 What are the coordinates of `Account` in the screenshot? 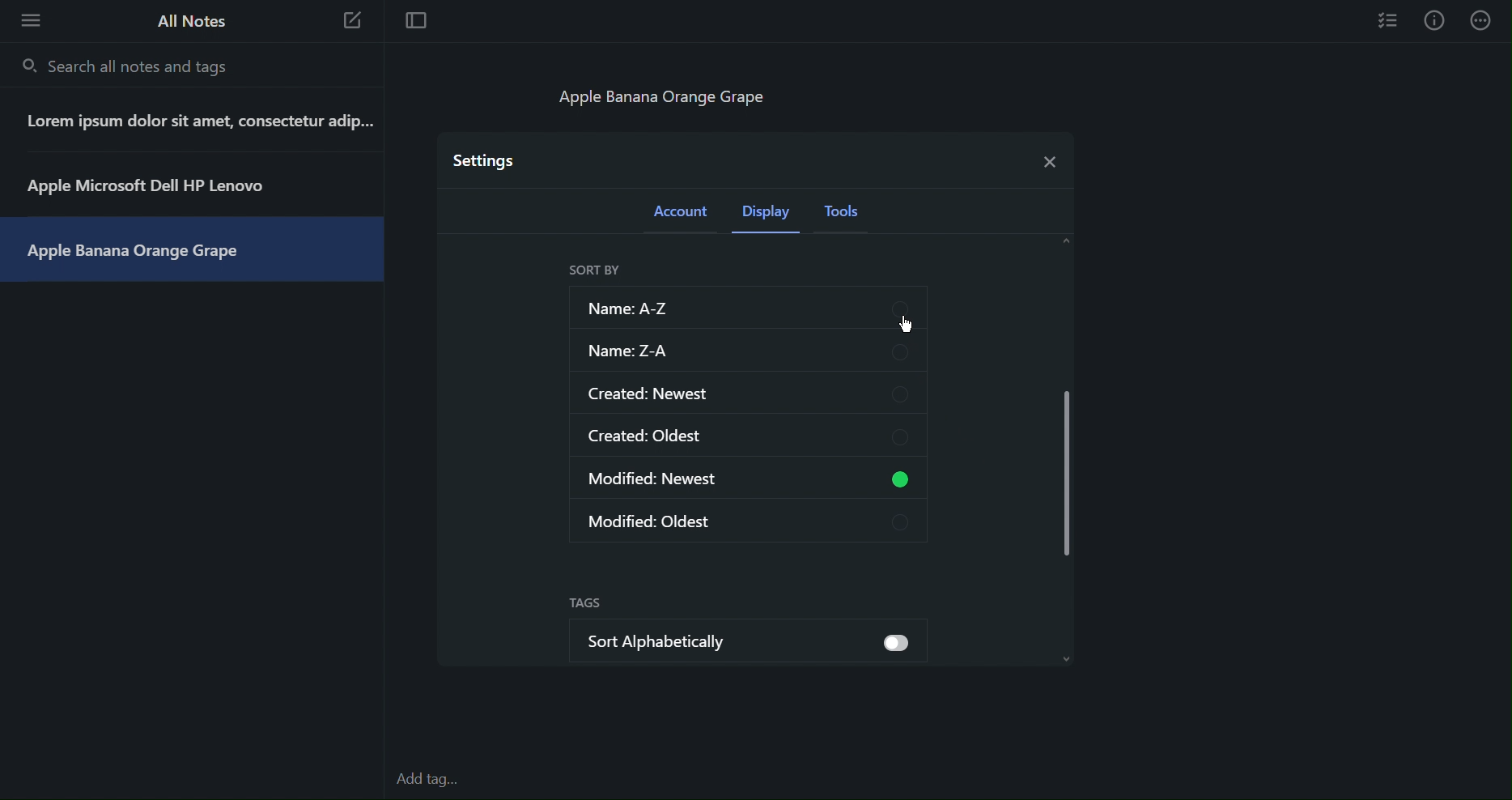 It's located at (682, 215).